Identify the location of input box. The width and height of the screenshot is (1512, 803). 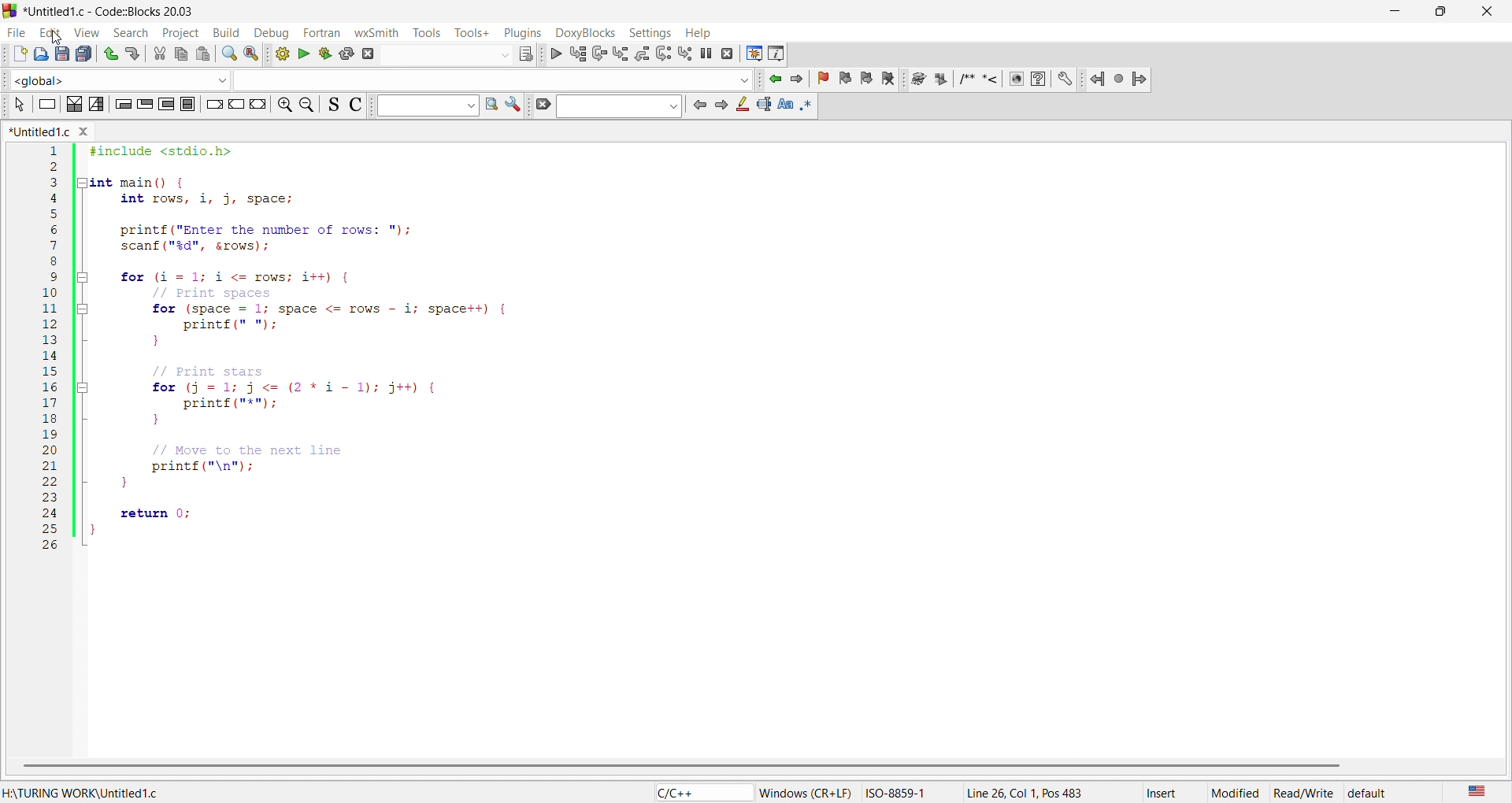
(422, 108).